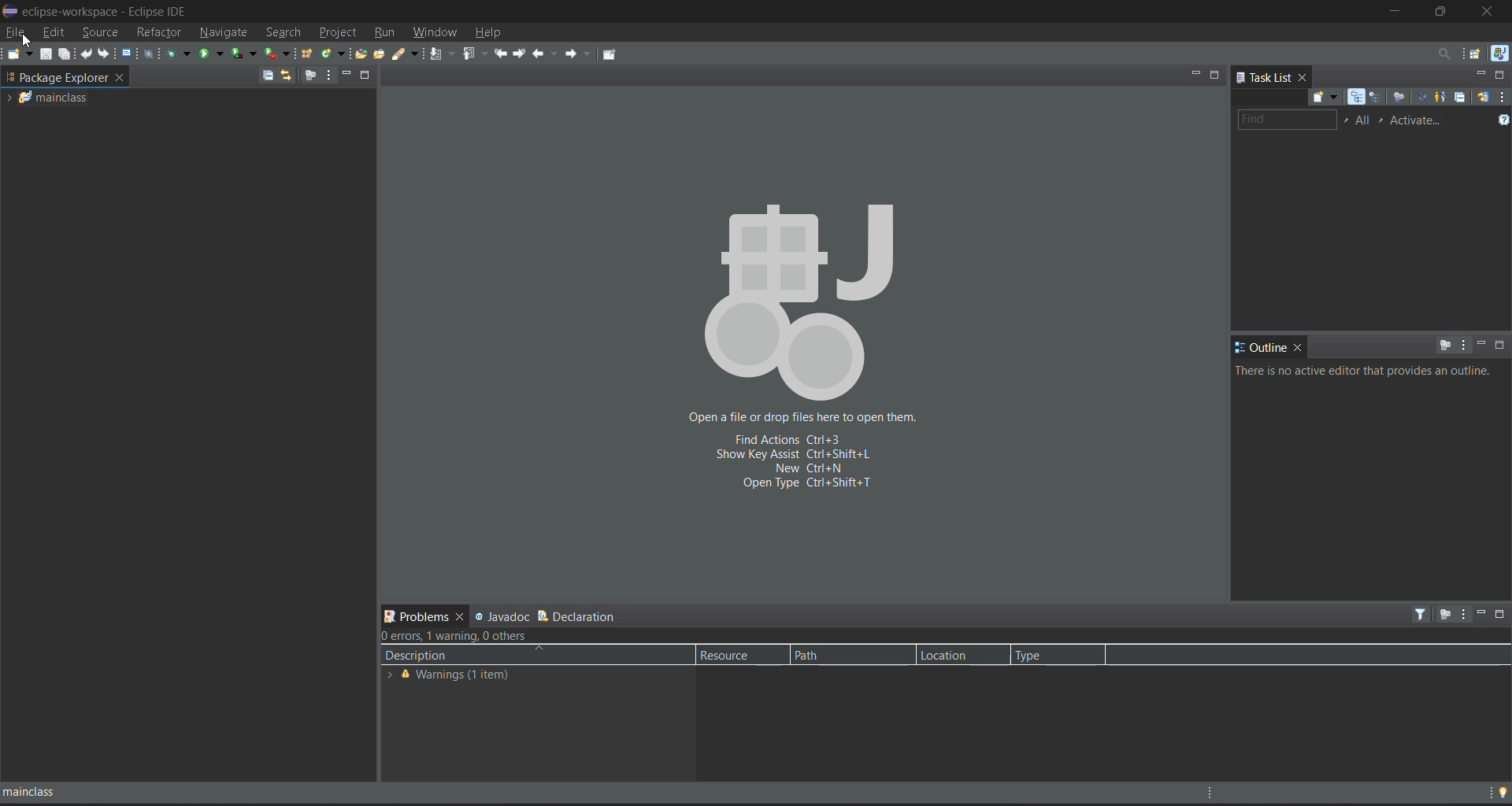 The height and width of the screenshot is (806, 1512). What do you see at coordinates (159, 32) in the screenshot?
I see `refractor` at bounding box center [159, 32].